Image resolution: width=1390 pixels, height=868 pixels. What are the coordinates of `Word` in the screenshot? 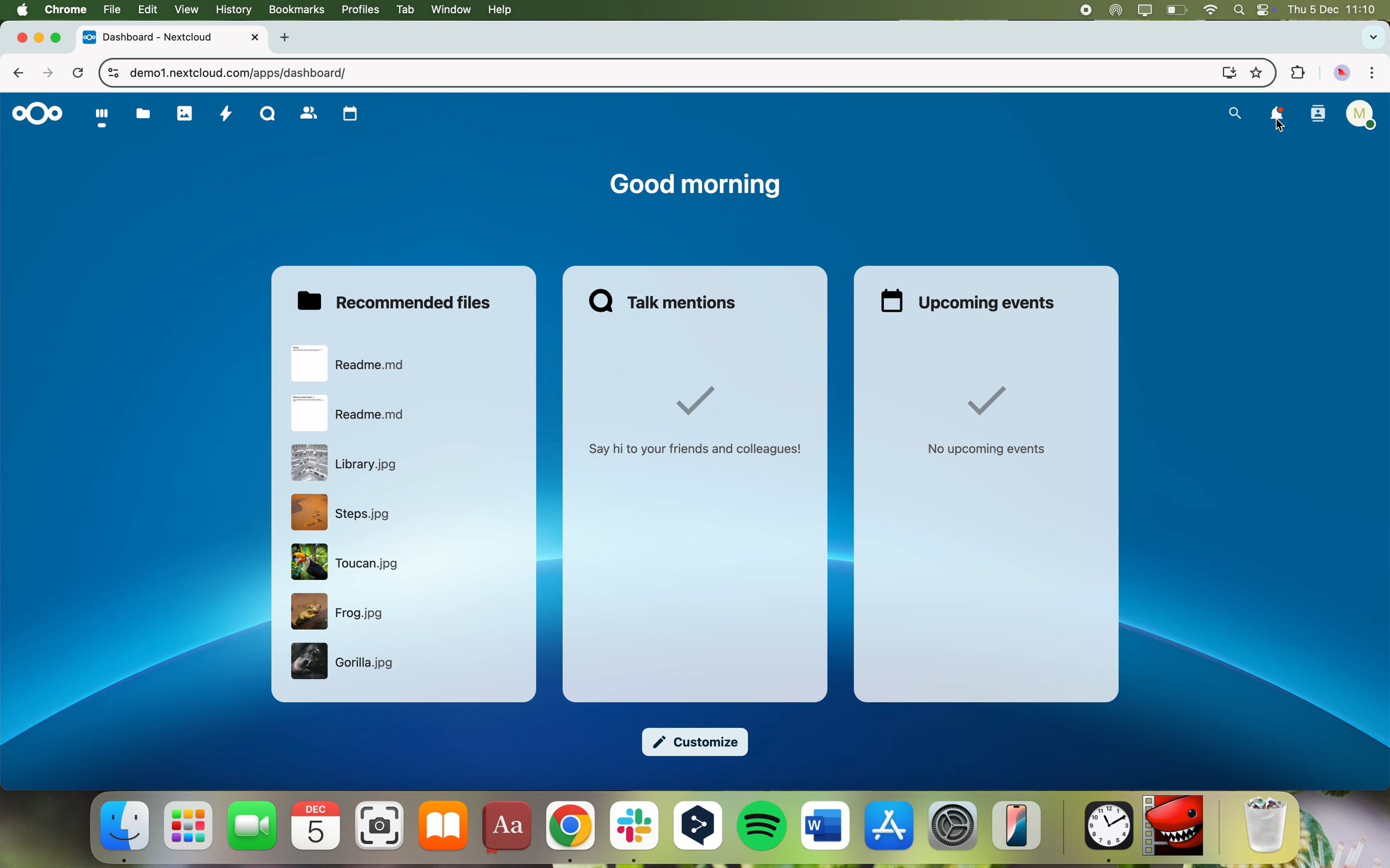 It's located at (826, 827).